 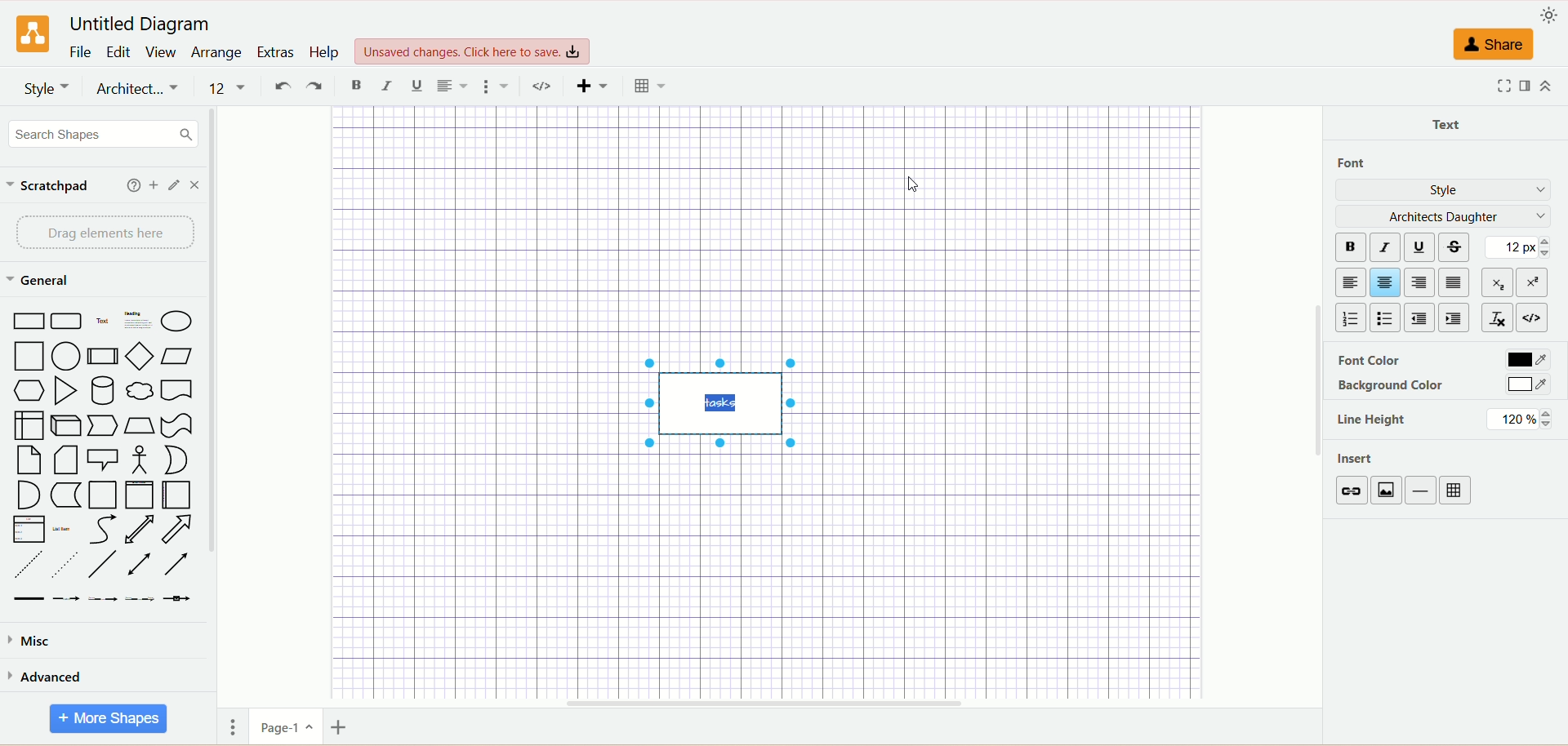 I want to click on vertical scroll bar, so click(x=216, y=406).